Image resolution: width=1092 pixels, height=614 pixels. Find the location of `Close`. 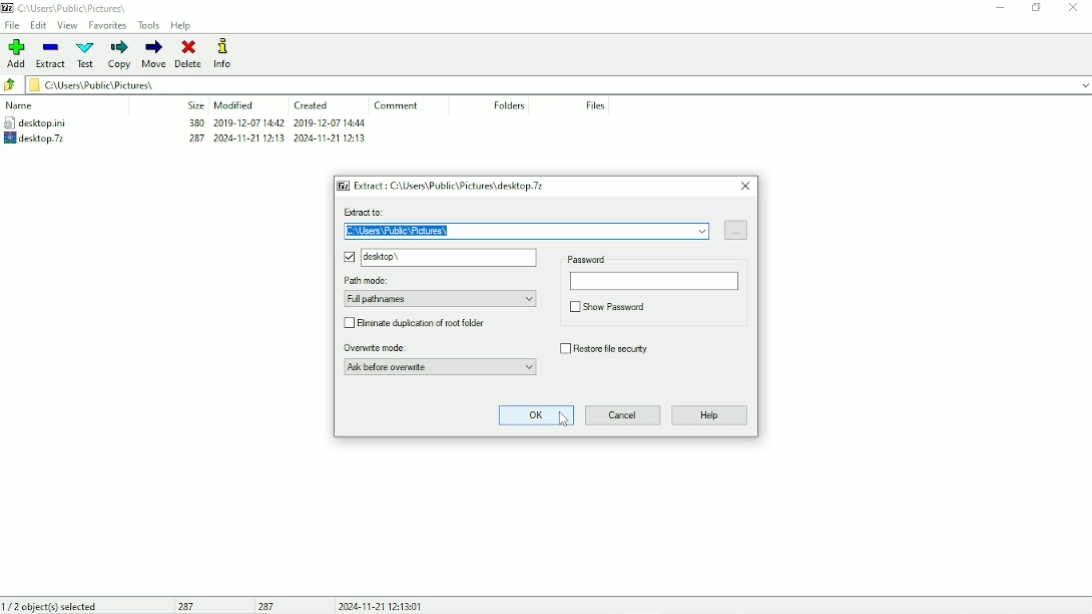

Close is located at coordinates (746, 186).